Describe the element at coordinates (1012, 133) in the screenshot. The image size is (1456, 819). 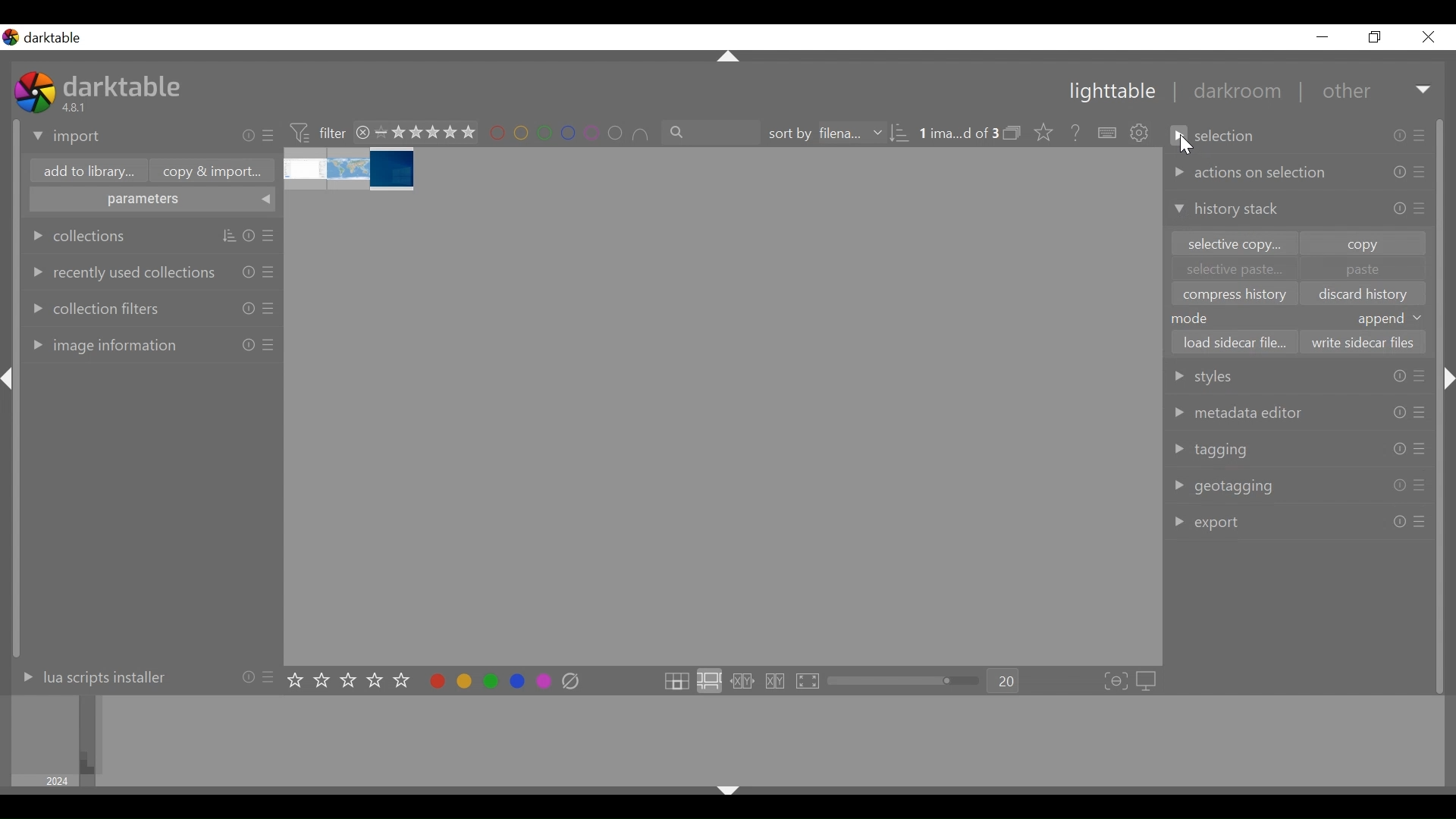
I see `expand/collapse grouped images` at that location.